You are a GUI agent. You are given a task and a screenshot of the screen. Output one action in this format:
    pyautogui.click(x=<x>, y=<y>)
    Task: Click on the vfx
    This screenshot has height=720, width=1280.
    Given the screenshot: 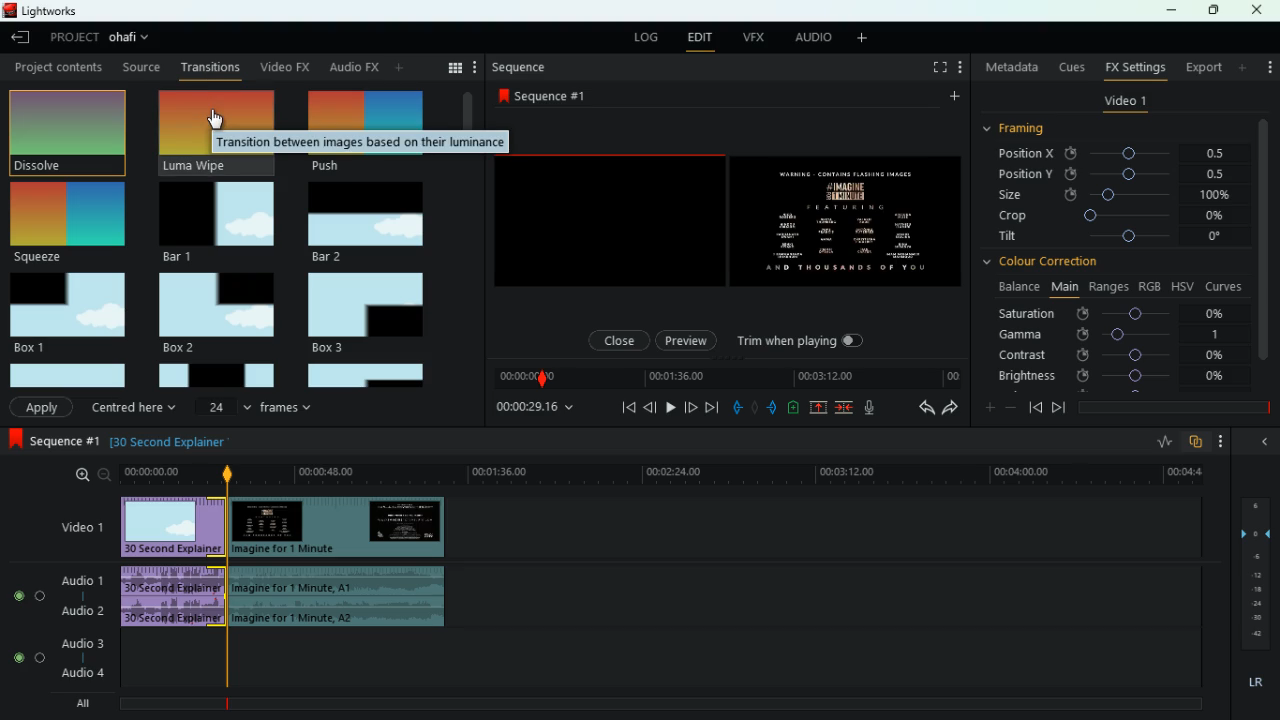 What is the action you would take?
    pyautogui.click(x=757, y=37)
    